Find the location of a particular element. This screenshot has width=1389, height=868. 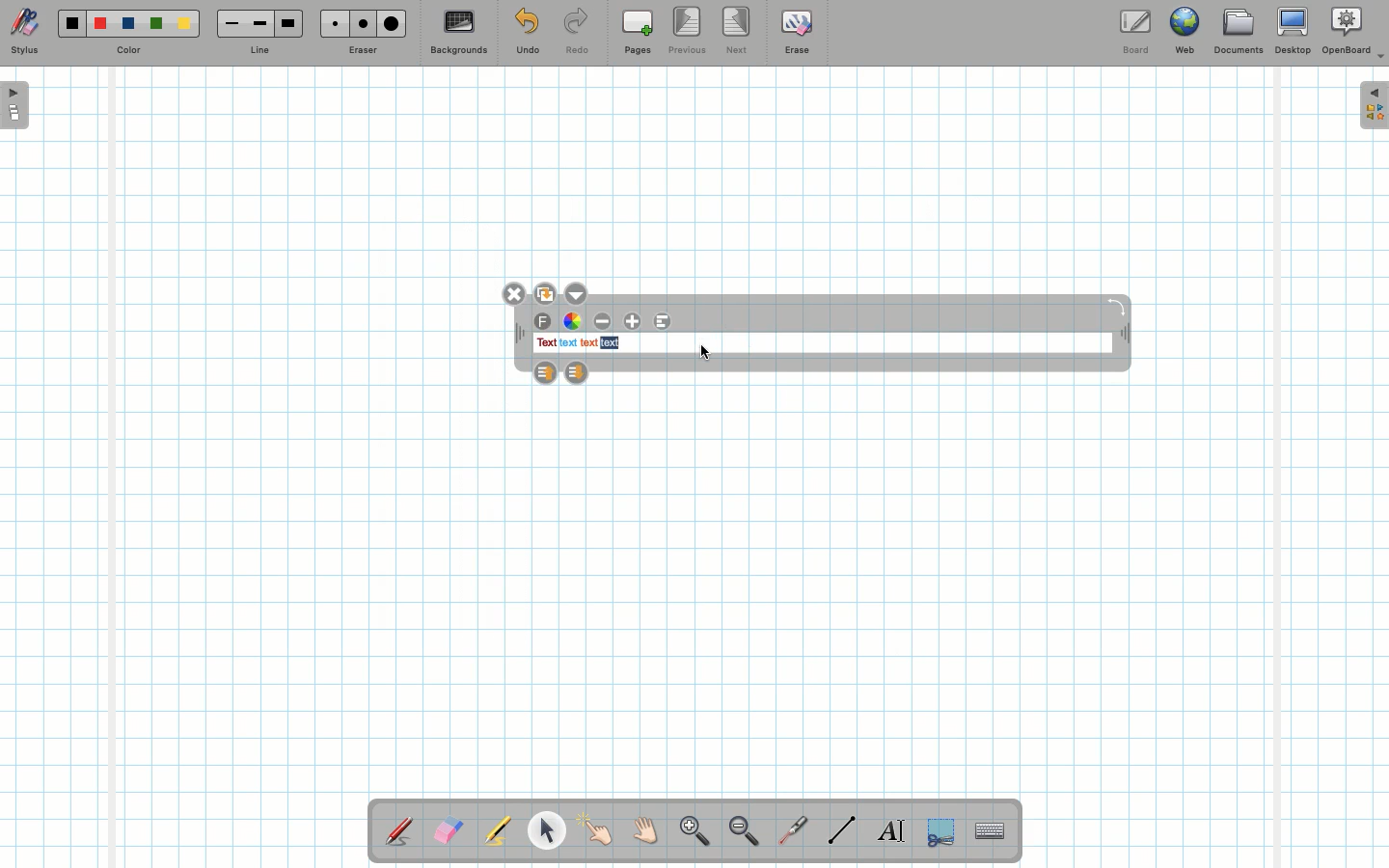

Increase font size is located at coordinates (635, 321).